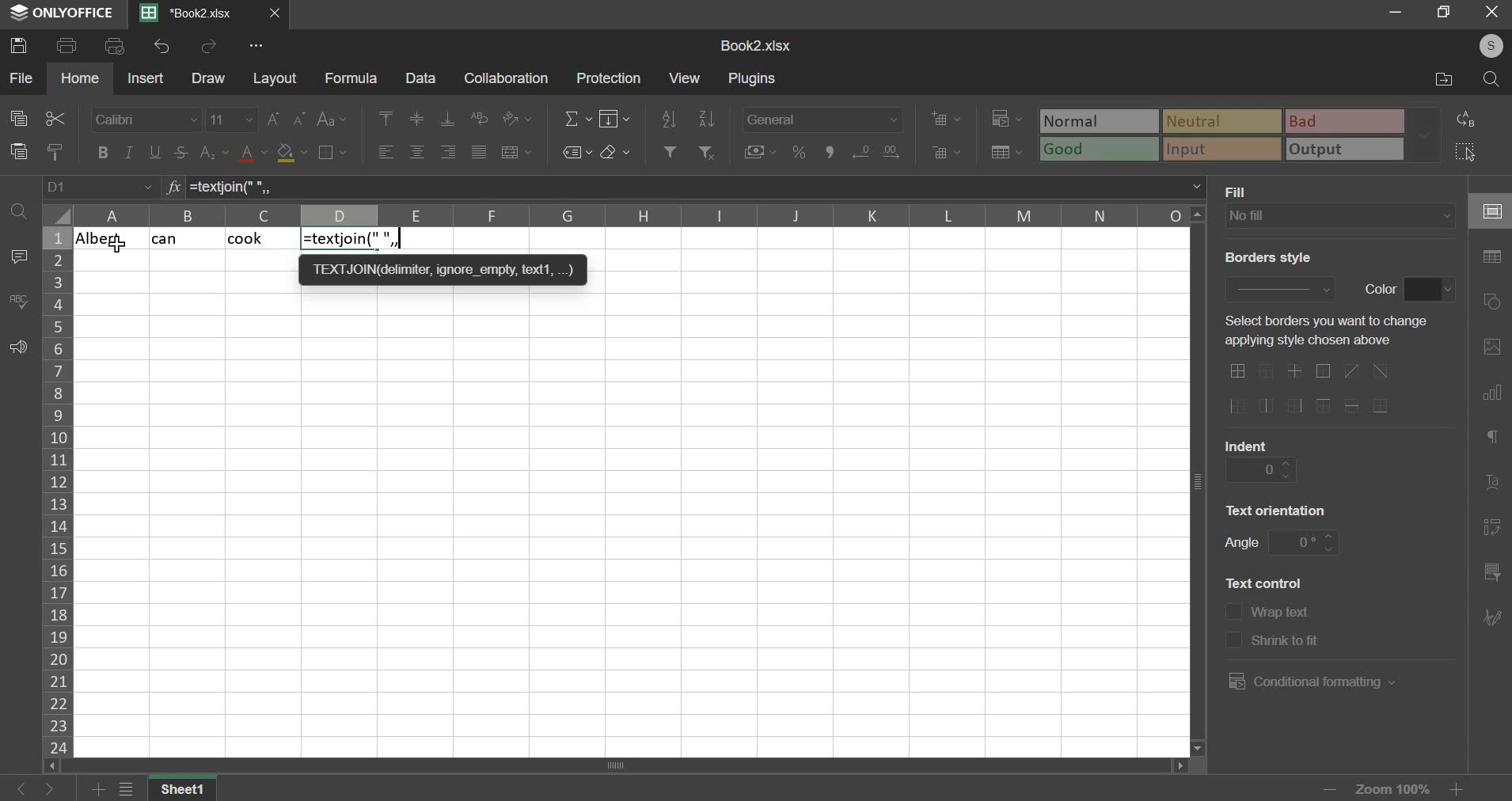  What do you see at coordinates (1266, 257) in the screenshot?
I see `text` at bounding box center [1266, 257].